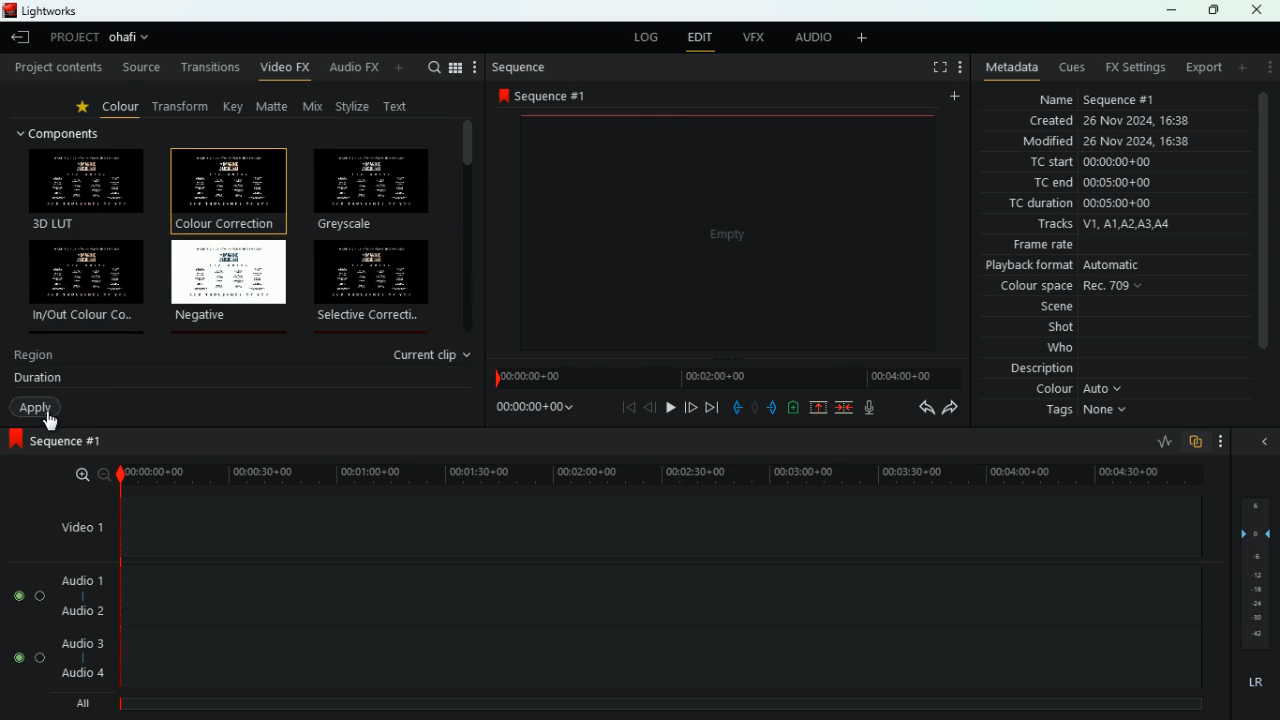 The width and height of the screenshot is (1280, 720). Describe the element at coordinates (18, 39) in the screenshot. I see `leave` at that location.